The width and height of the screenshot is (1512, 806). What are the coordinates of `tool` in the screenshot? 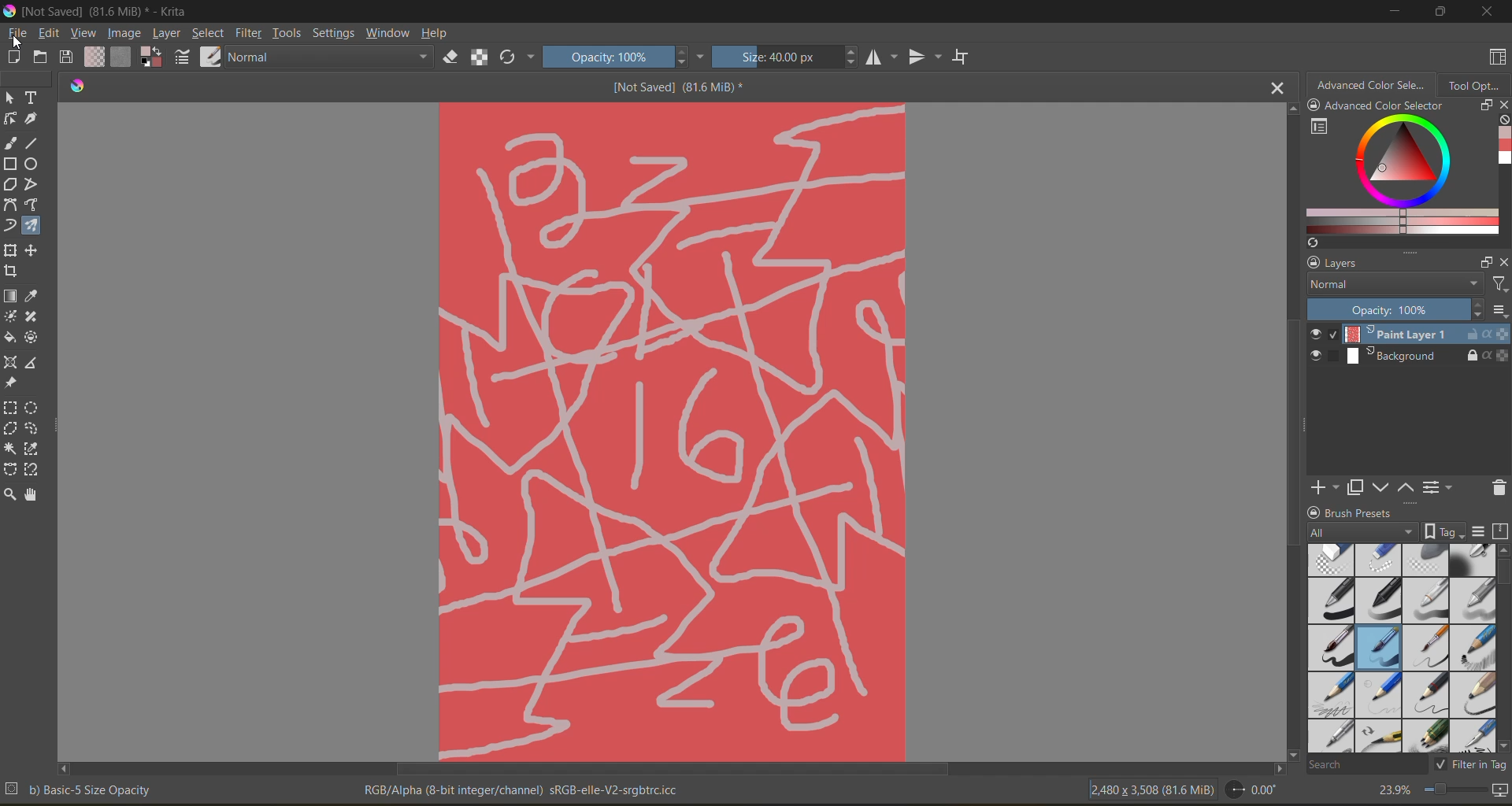 It's located at (9, 226).